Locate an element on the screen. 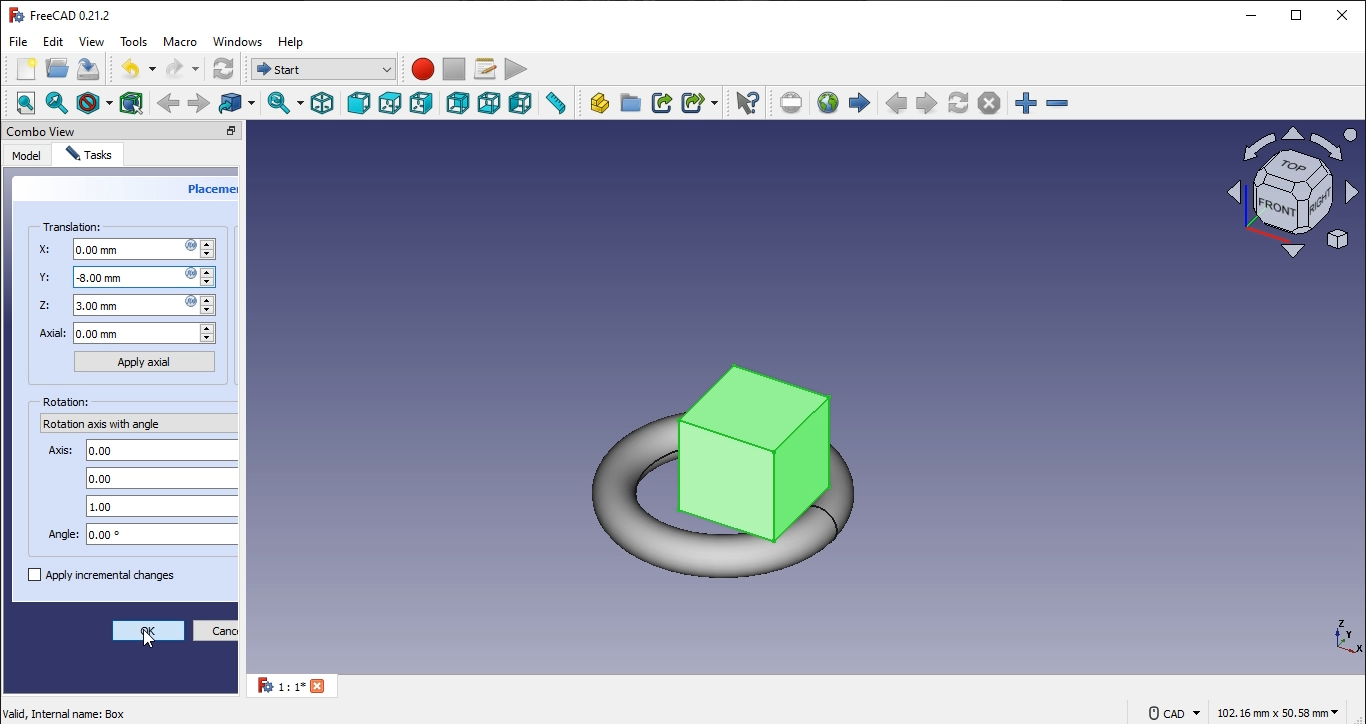 Image resolution: width=1366 pixels, height=724 pixels. 1 is located at coordinates (298, 687).